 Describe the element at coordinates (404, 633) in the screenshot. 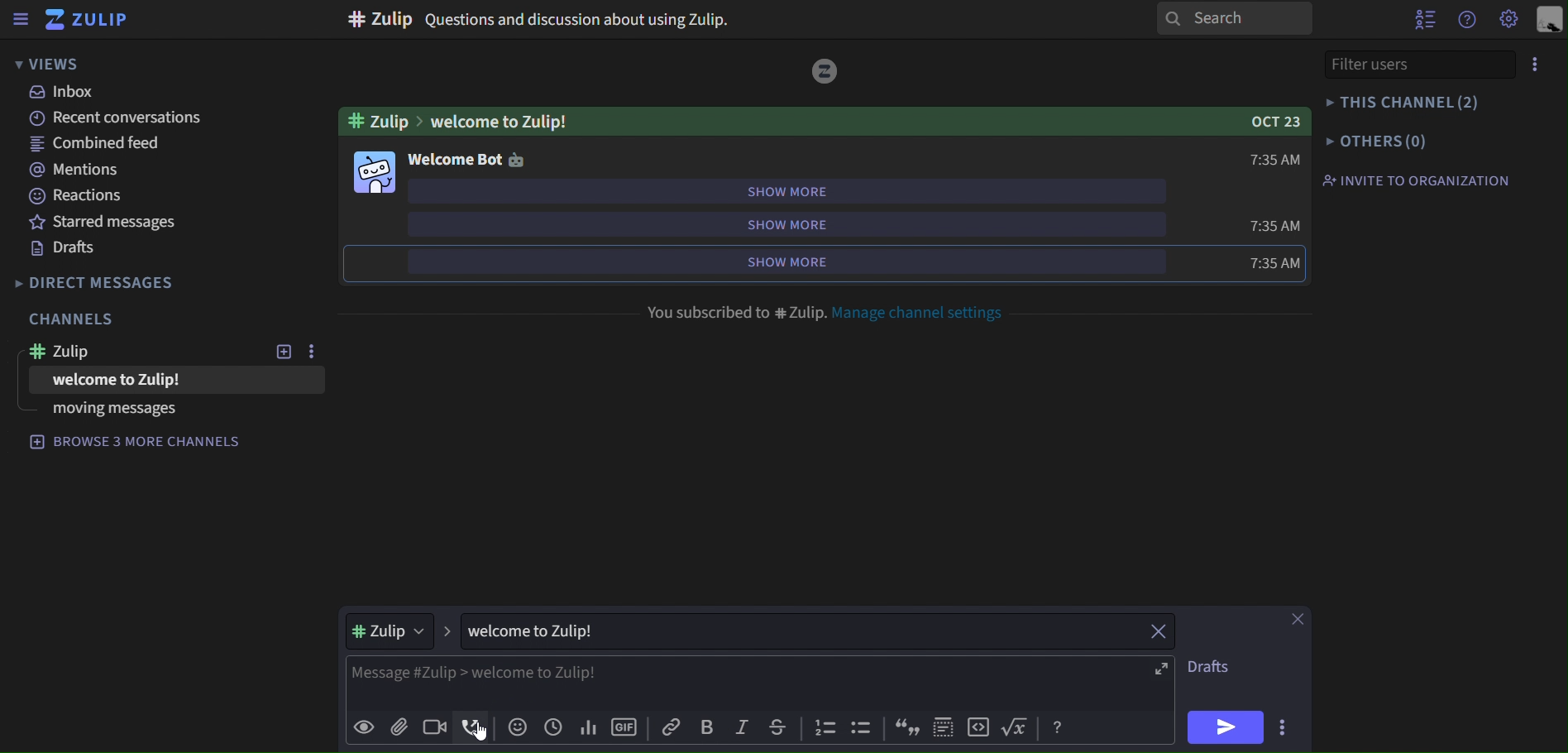

I see `#zulip` at that location.